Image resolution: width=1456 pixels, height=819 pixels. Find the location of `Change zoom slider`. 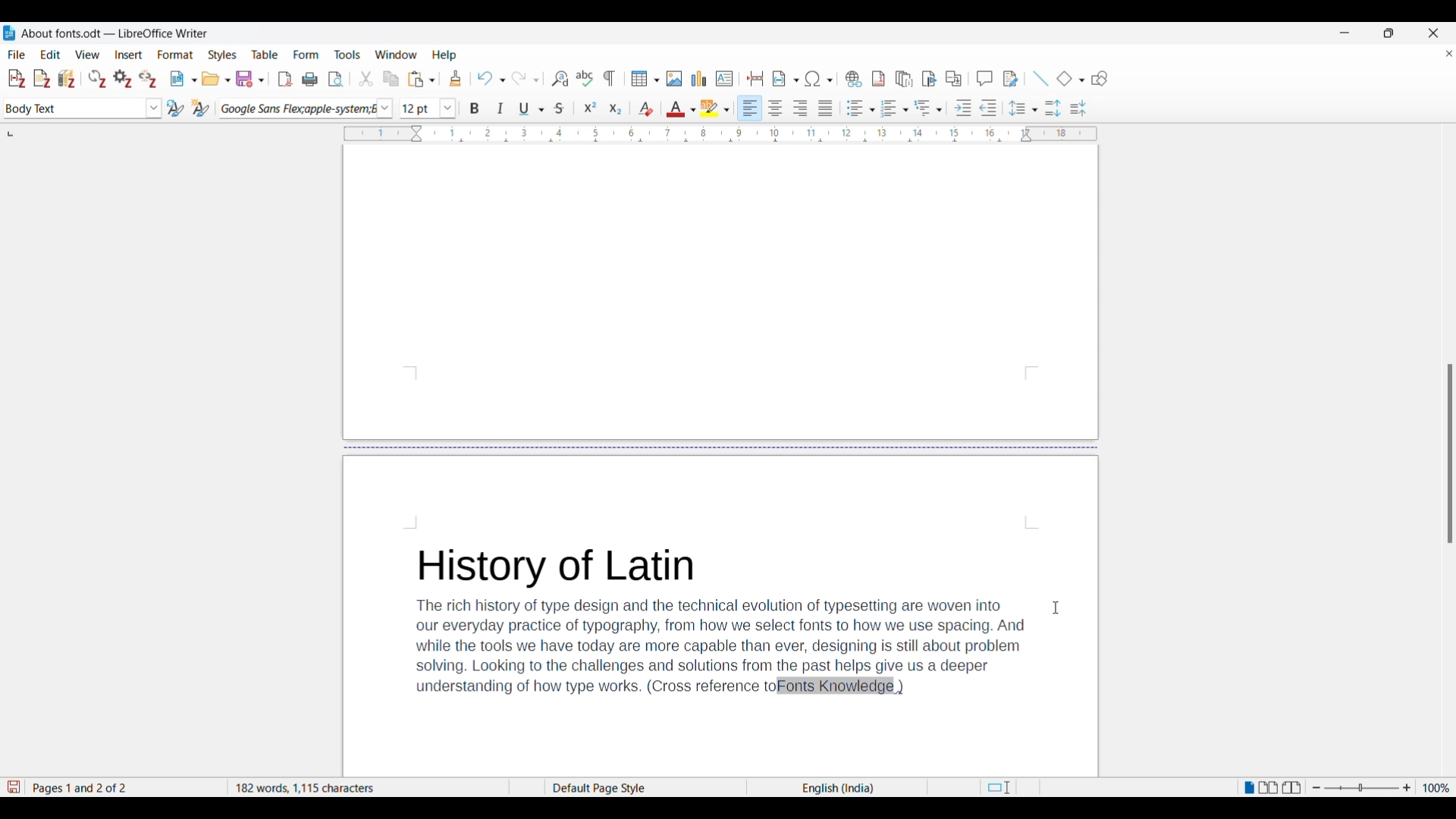

Change zoom slider is located at coordinates (1361, 789).